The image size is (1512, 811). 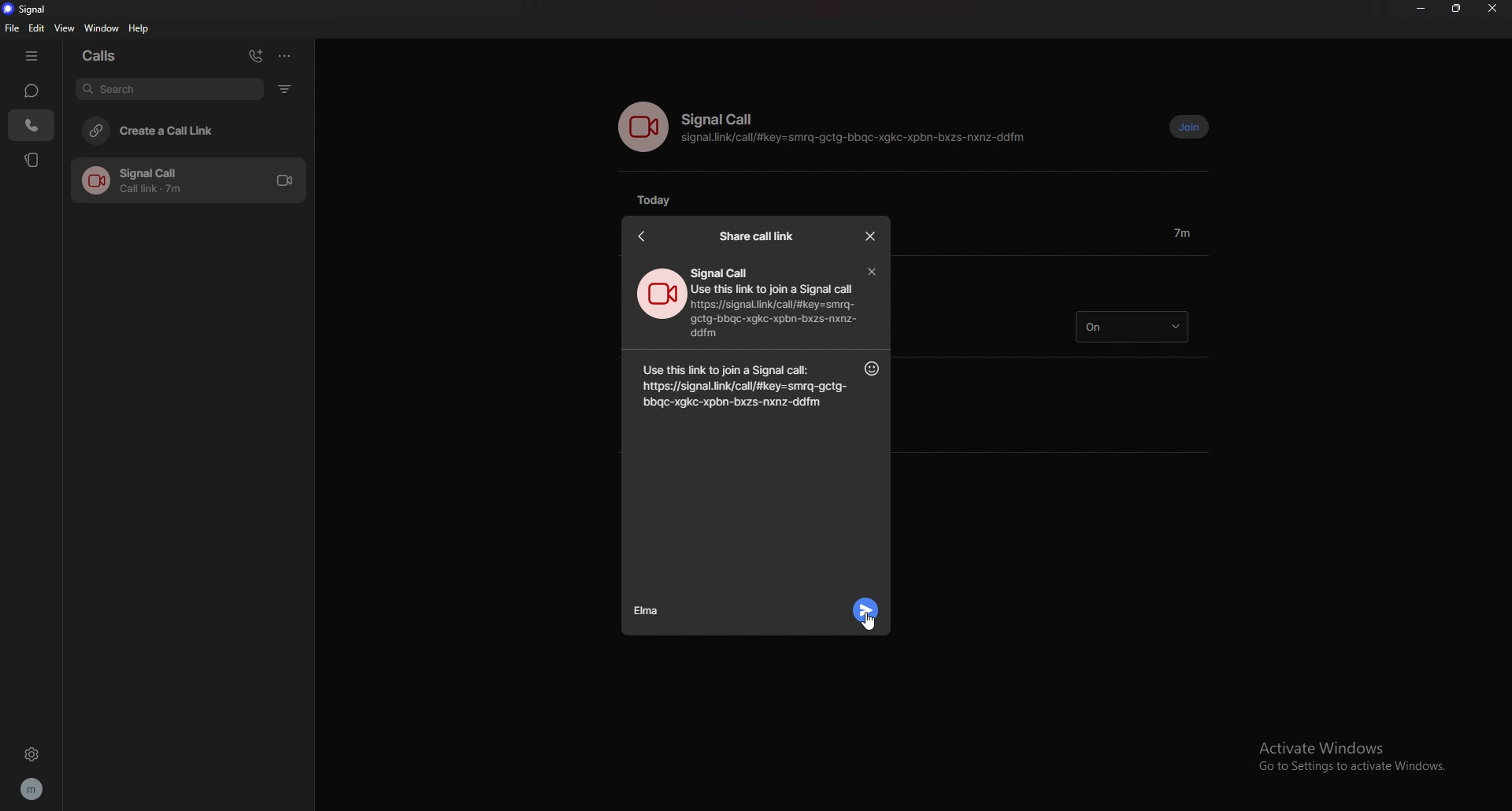 I want to click on help, so click(x=139, y=30).